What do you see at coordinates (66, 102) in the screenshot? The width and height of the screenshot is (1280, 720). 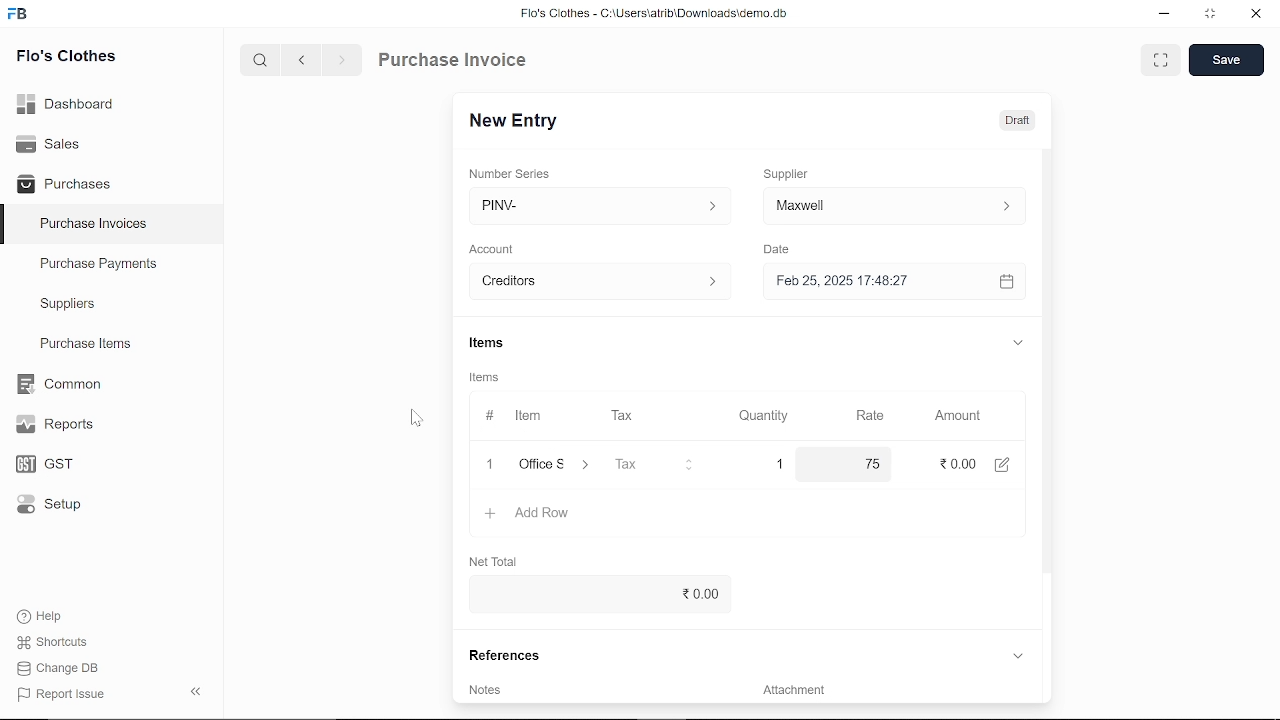 I see `Dashboard` at bounding box center [66, 102].